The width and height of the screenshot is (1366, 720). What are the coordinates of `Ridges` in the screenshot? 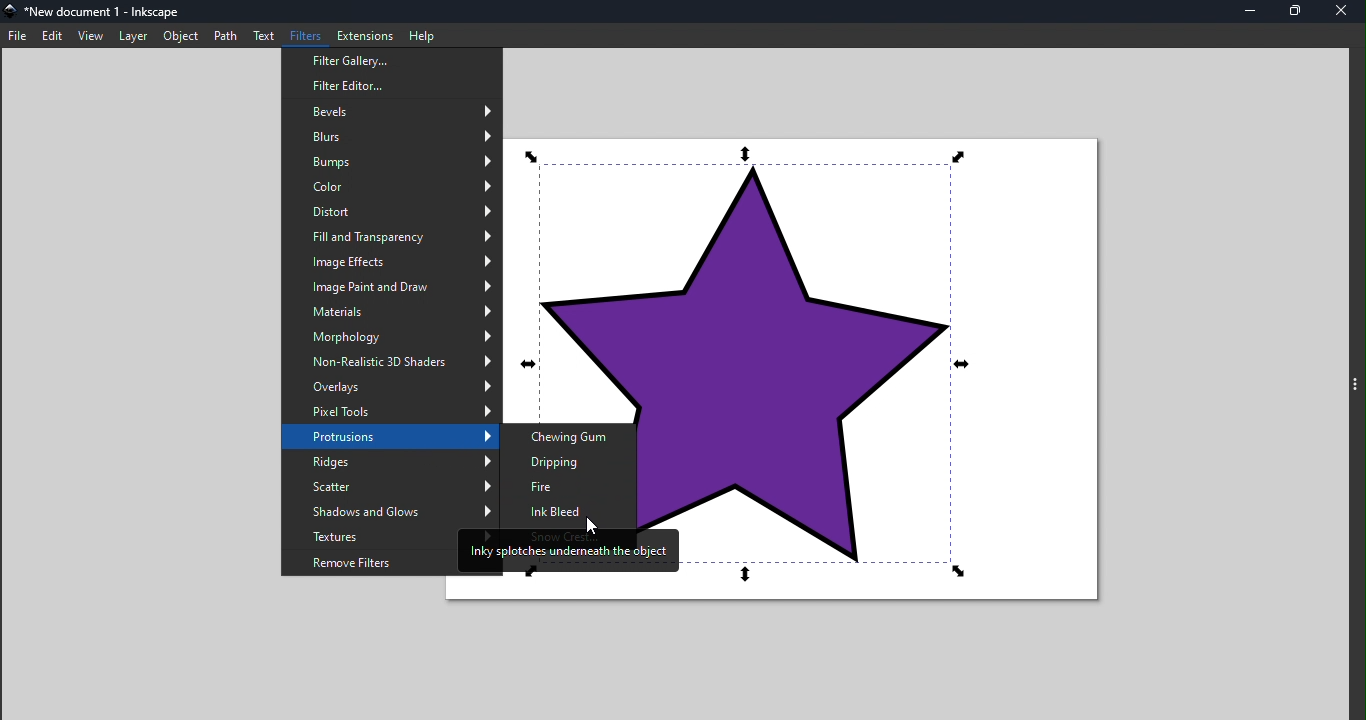 It's located at (387, 462).